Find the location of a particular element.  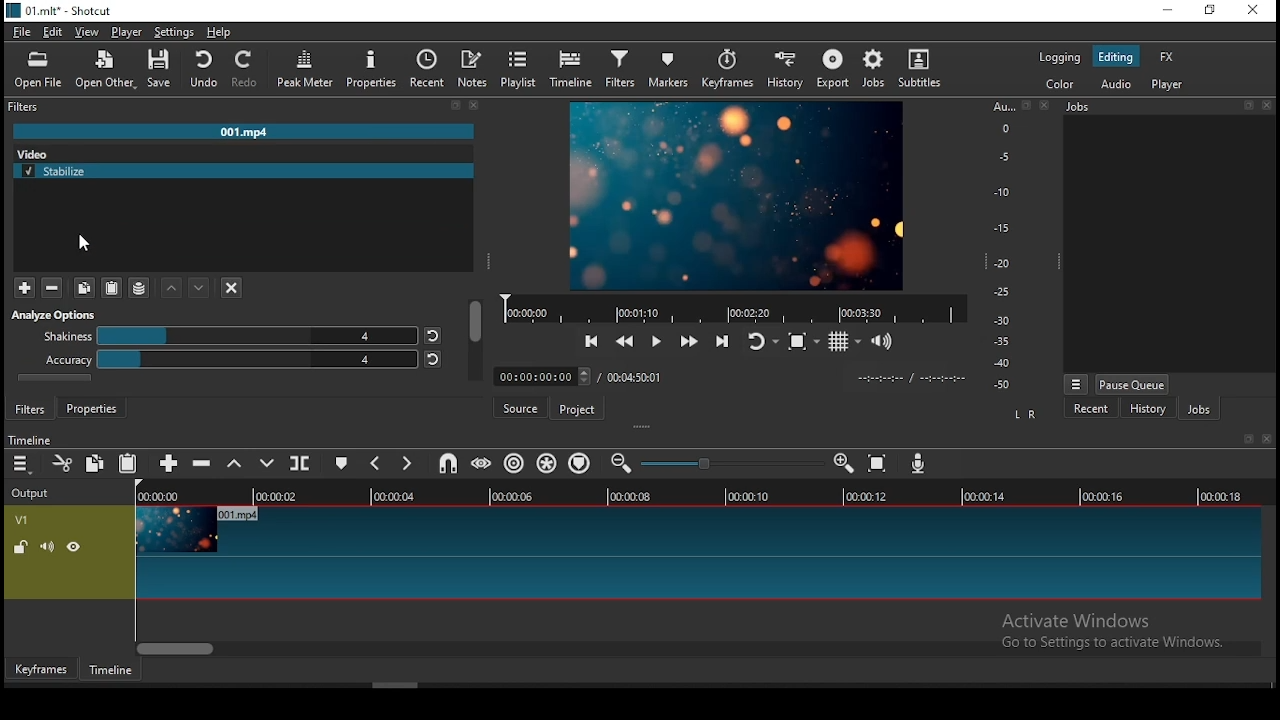

Menu is located at coordinates (1073, 383).